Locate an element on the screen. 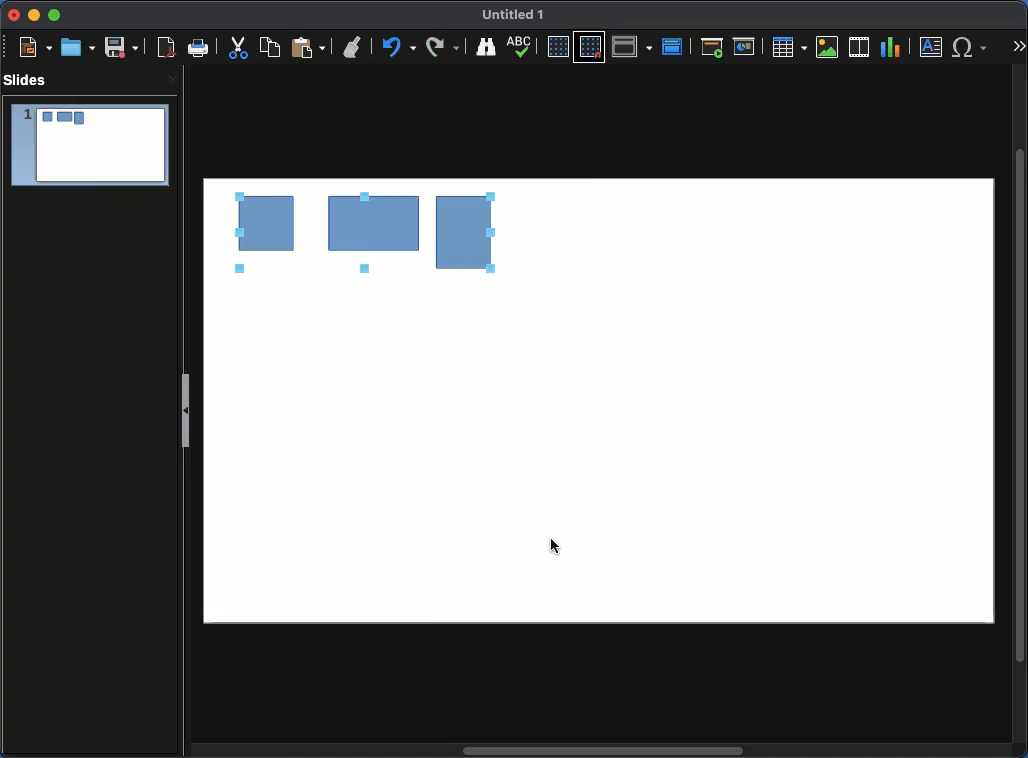  Insert image is located at coordinates (827, 47).